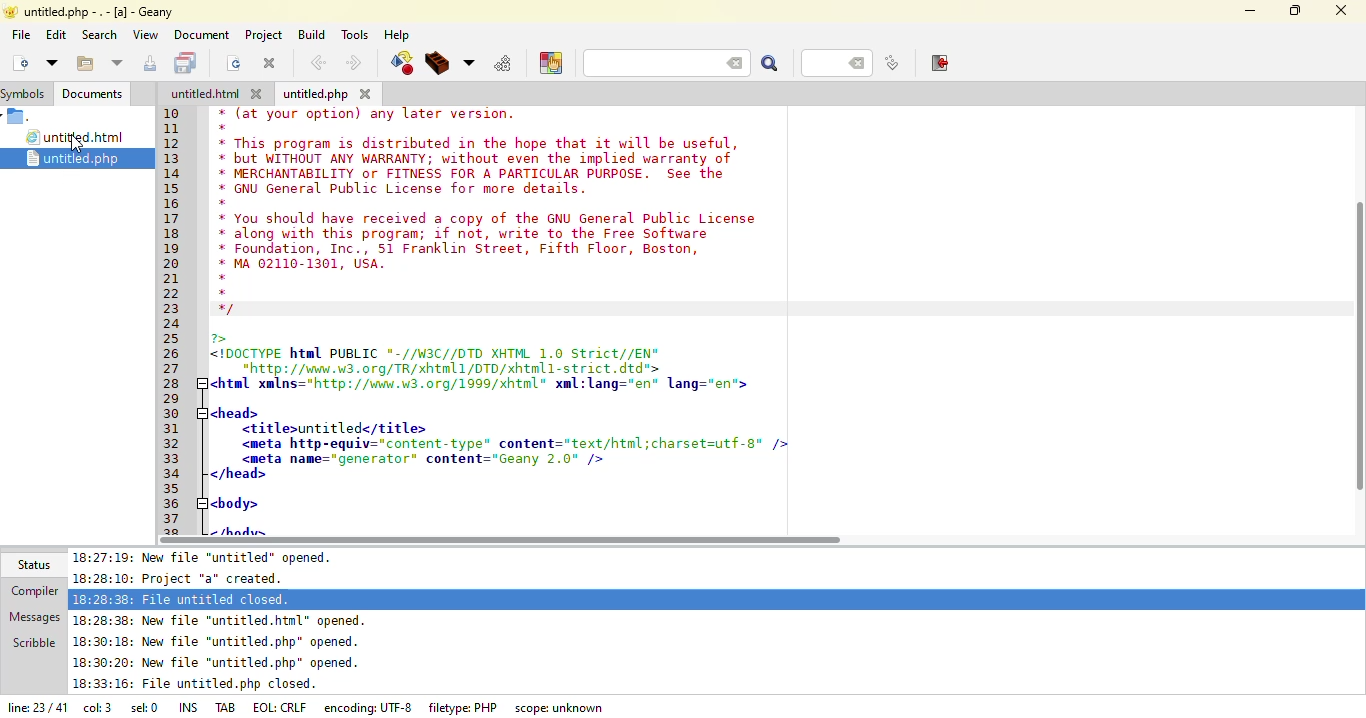  What do you see at coordinates (88, 63) in the screenshot?
I see `open existing` at bounding box center [88, 63].